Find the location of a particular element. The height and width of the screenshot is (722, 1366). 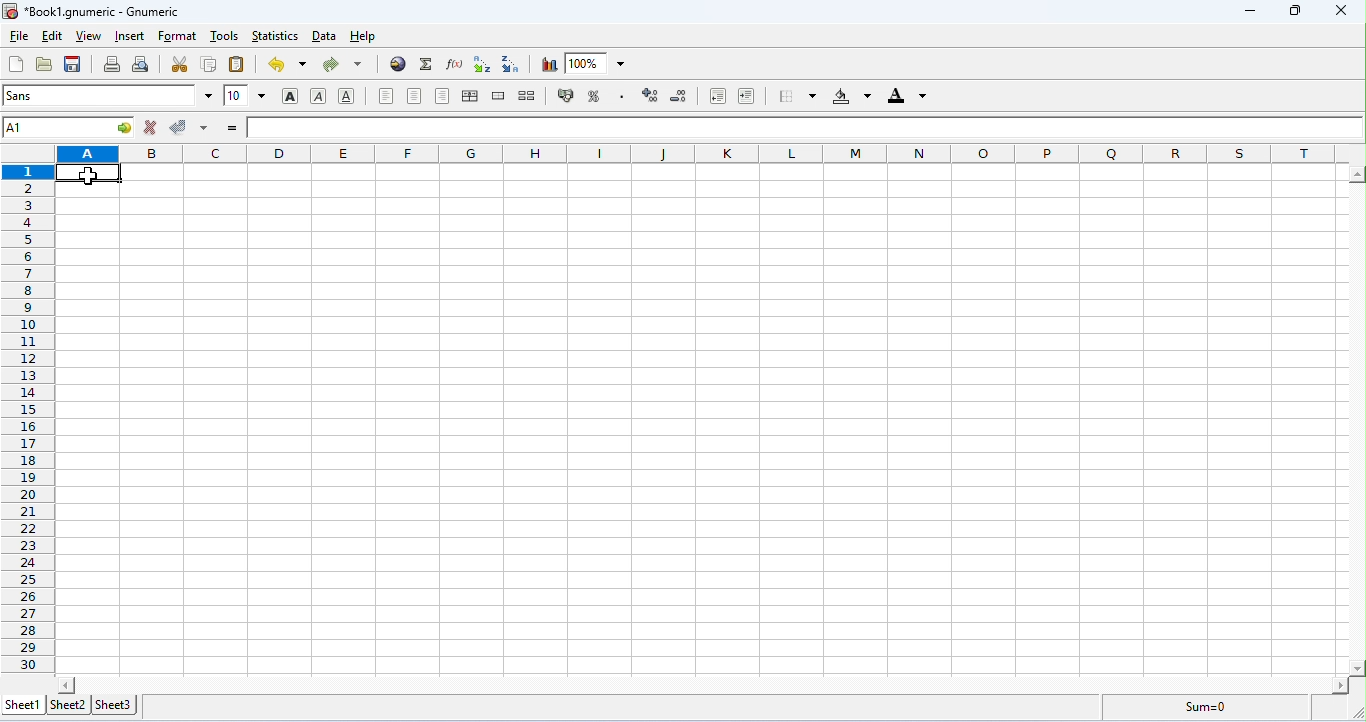

edit is located at coordinates (52, 35).